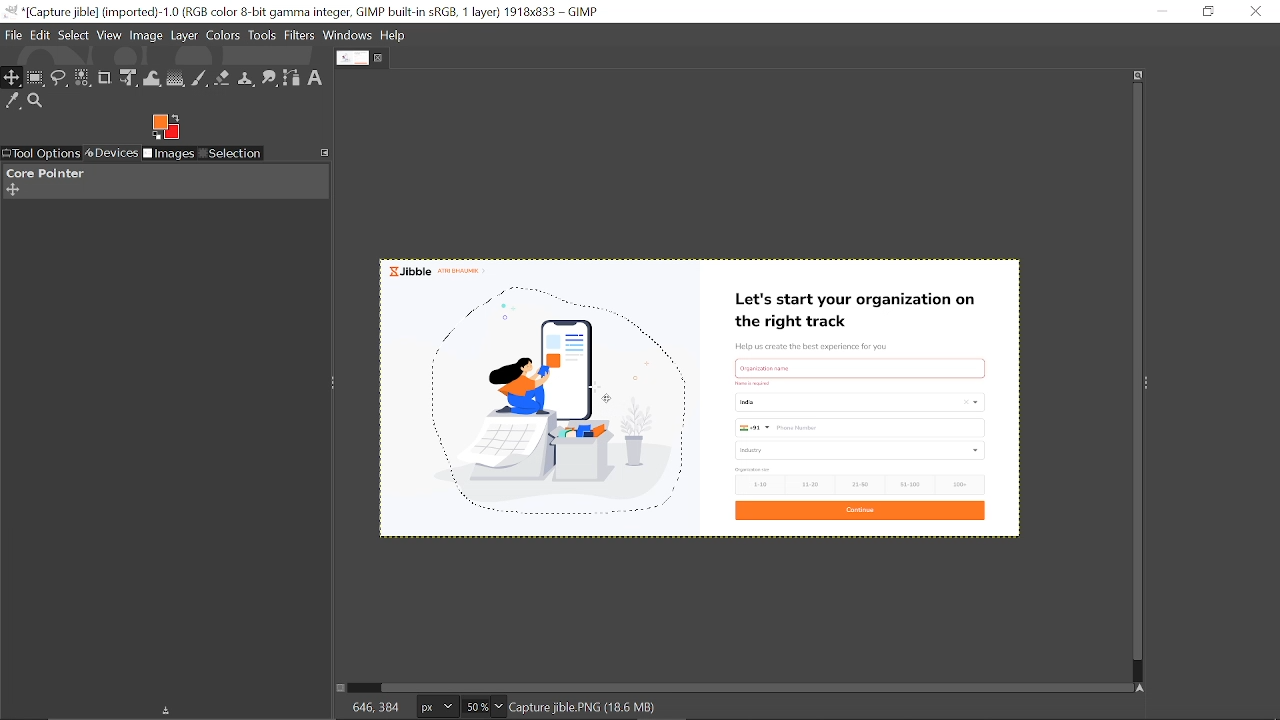  I want to click on Clone tool, so click(247, 80).